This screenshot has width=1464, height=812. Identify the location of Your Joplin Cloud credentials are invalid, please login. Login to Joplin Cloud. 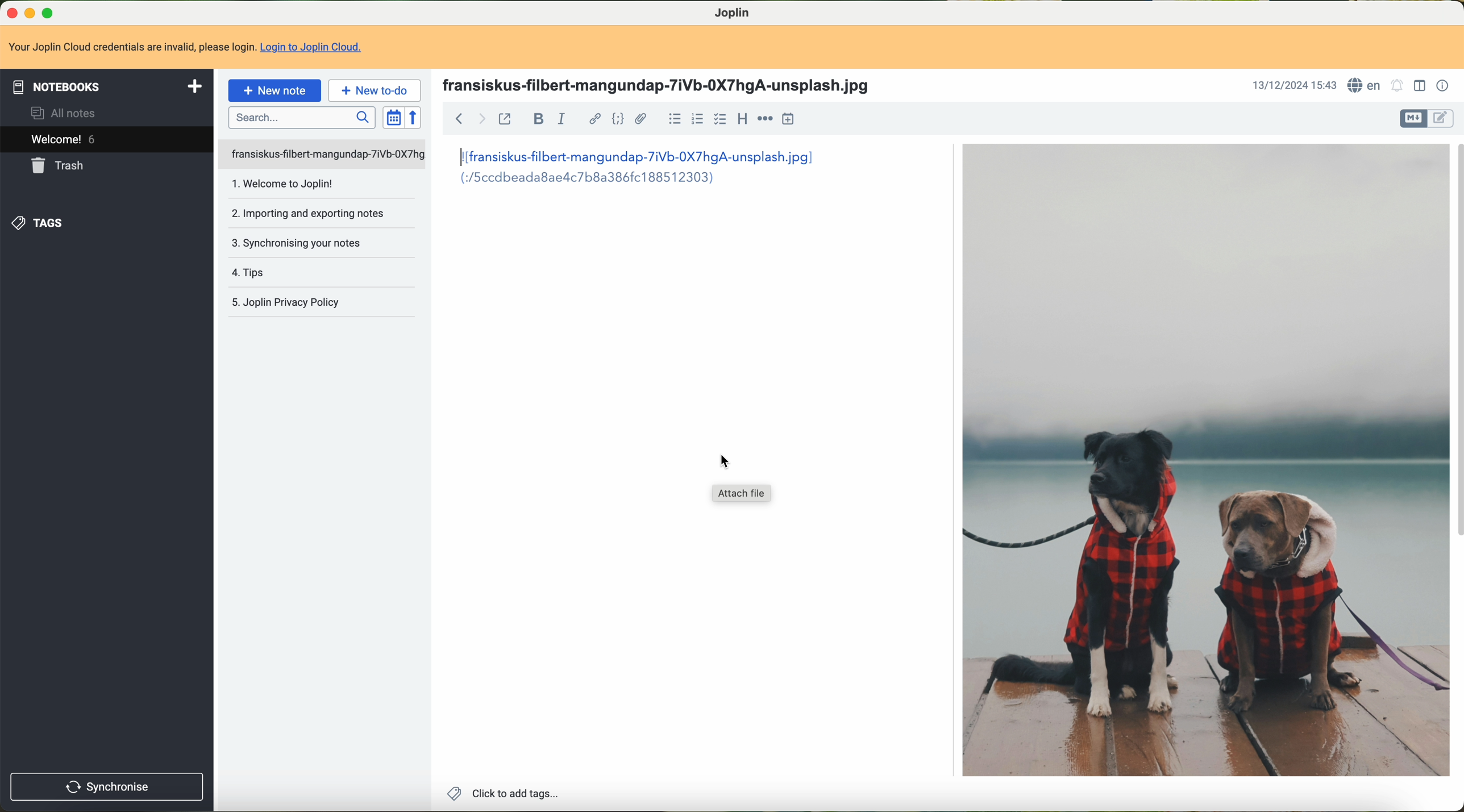
(190, 48).